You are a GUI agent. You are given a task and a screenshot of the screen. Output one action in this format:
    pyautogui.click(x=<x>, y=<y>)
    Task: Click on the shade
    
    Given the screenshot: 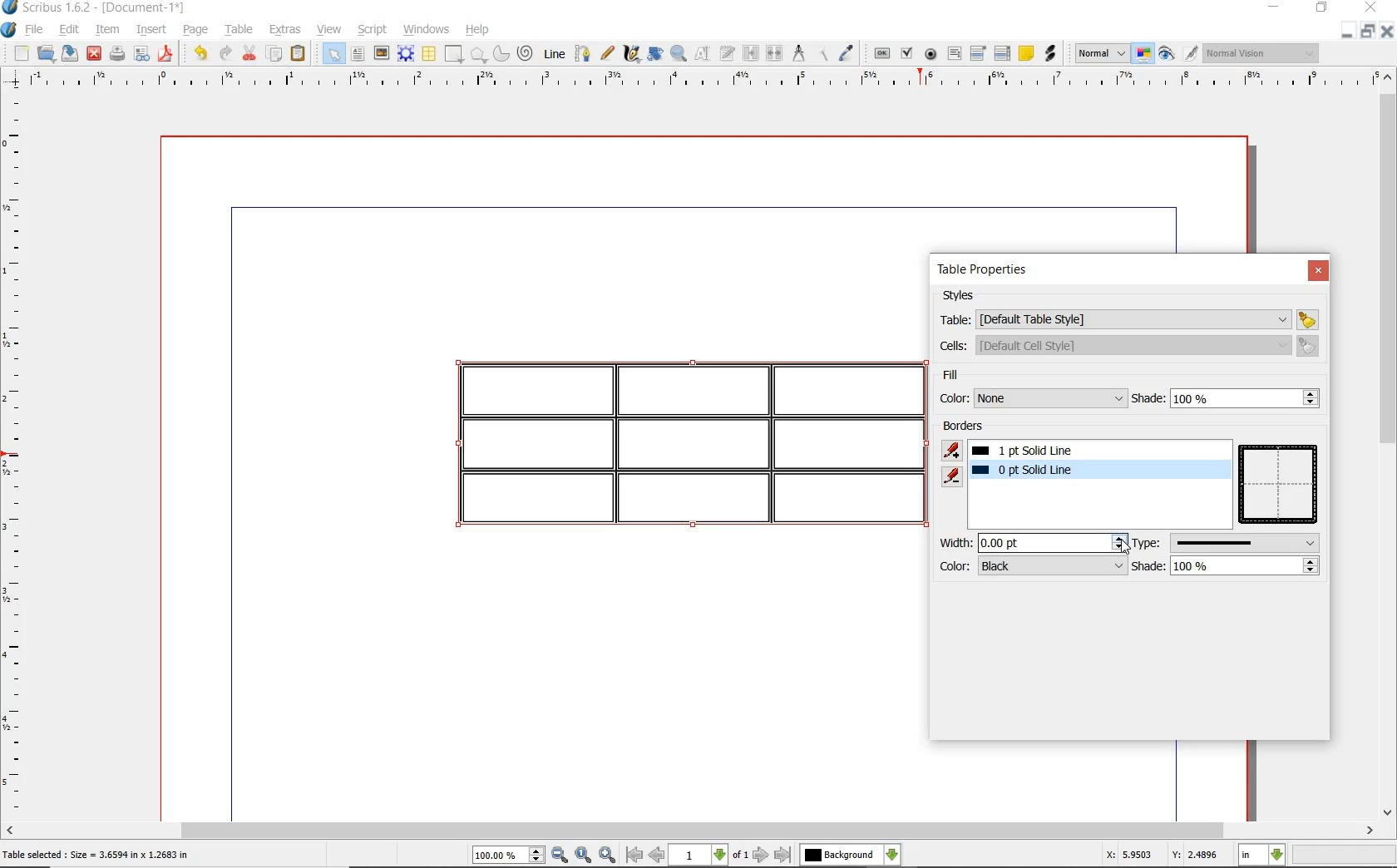 What is the action you would take?
    pyautogui.click(x=1223, y=565)
    